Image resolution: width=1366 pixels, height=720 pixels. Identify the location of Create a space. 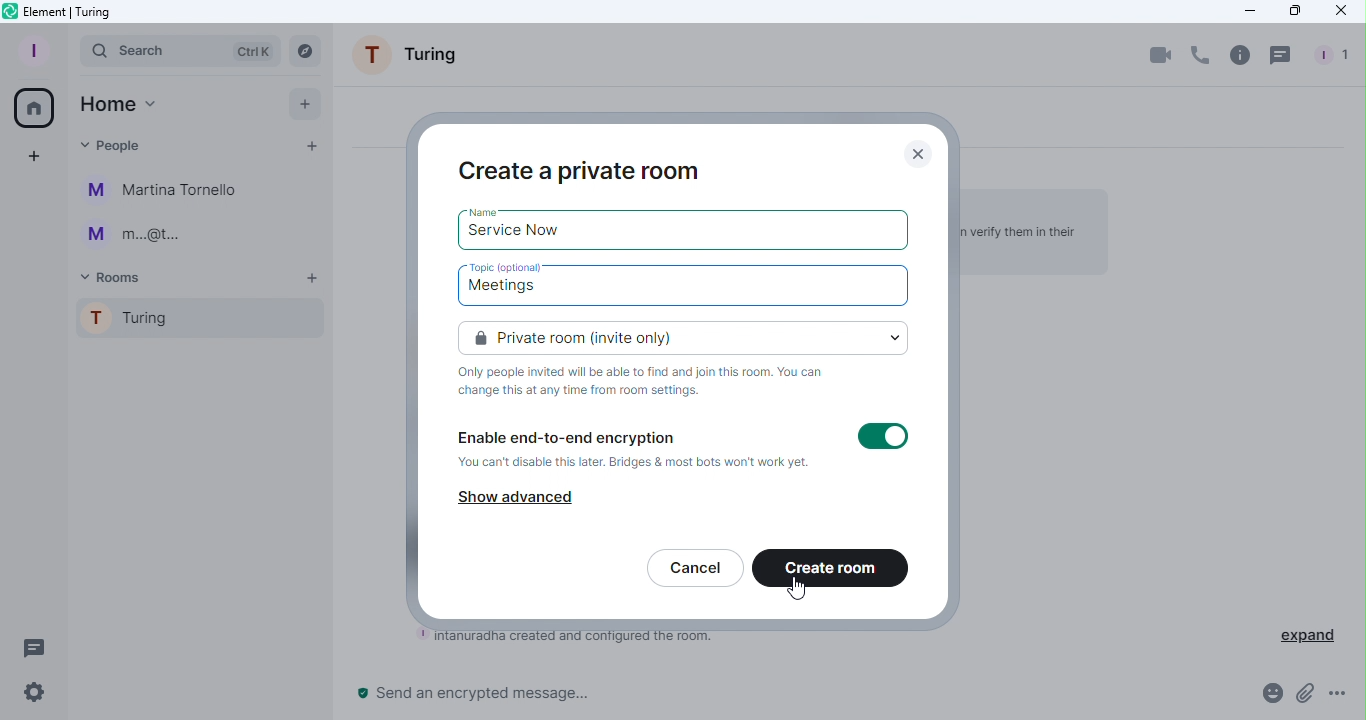
(35, 157).